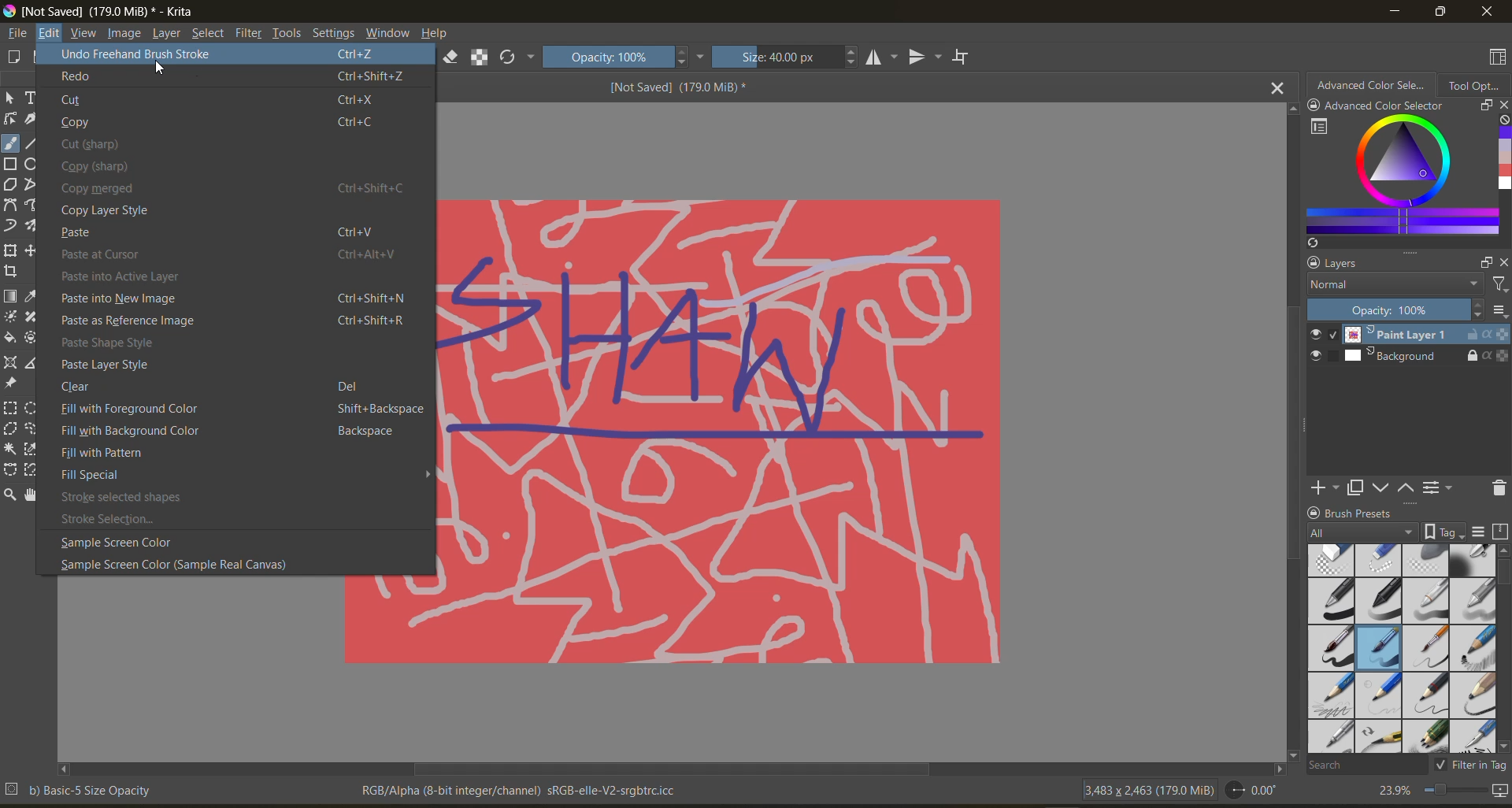 The image size is (1512, 808). I want to click on scroll left, so click(66, 770).